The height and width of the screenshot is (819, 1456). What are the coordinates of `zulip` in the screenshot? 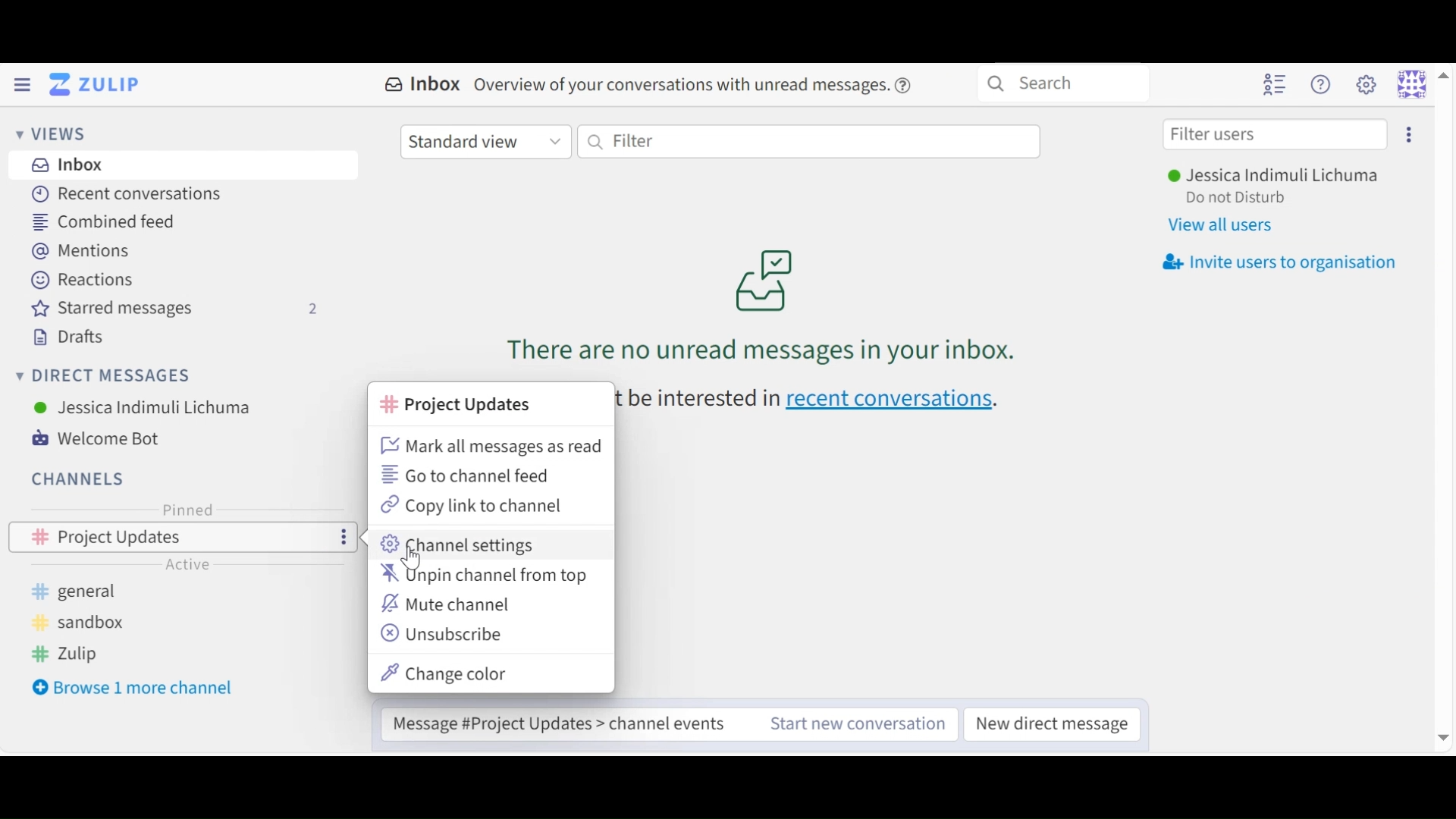 It's located at (64, 653).